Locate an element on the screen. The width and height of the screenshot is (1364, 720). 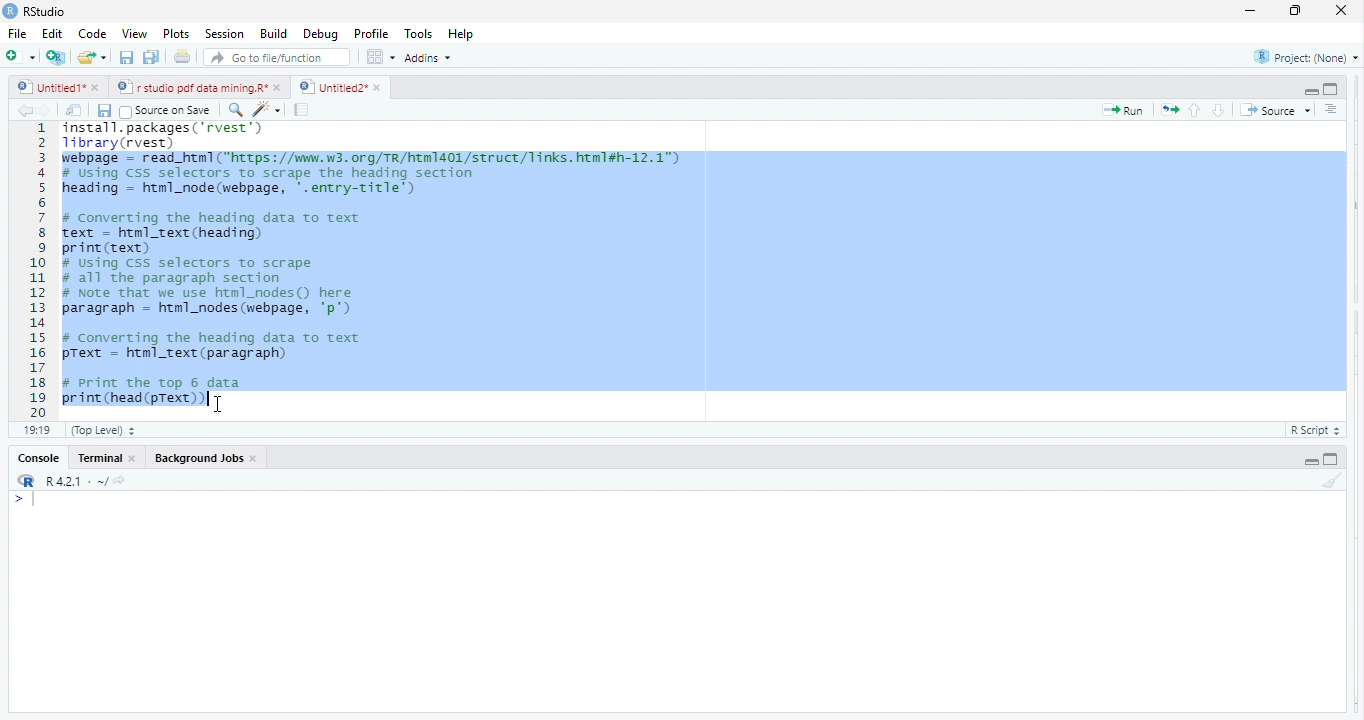
typing cursor is located at coordinates (205, 399).